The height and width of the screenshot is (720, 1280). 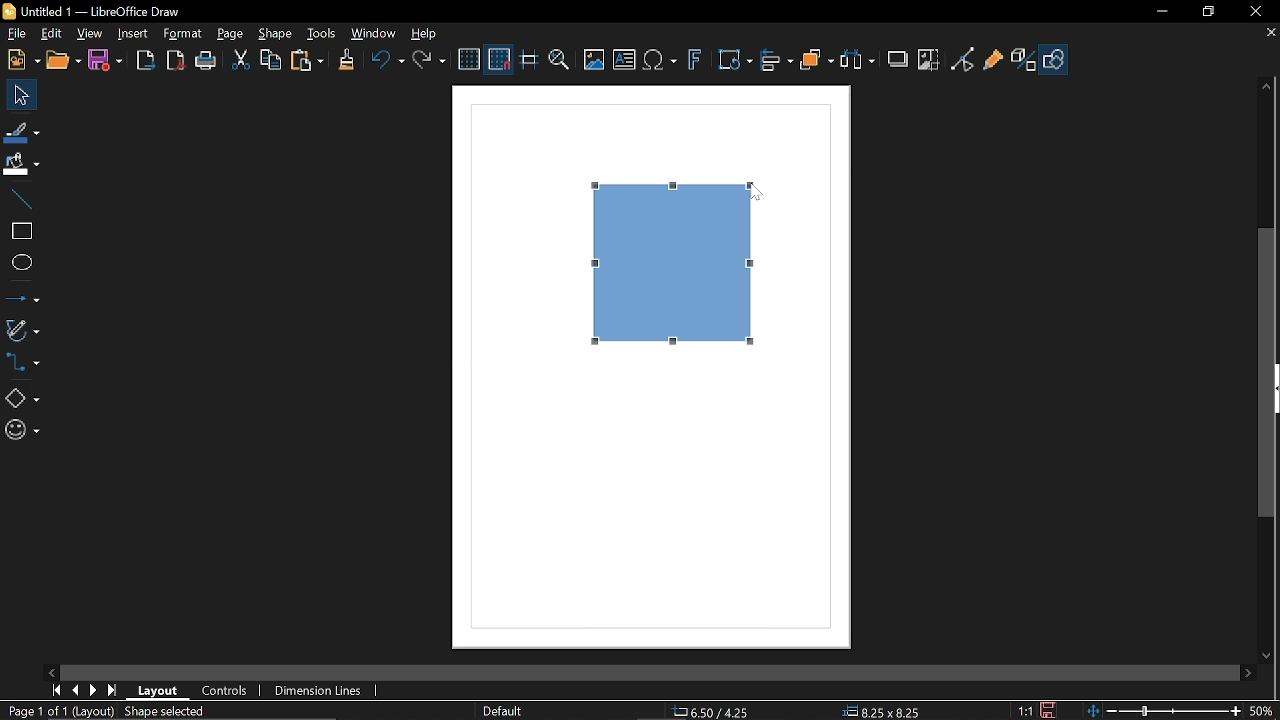 I want to click on Select tool, so click(x=18, y=95).